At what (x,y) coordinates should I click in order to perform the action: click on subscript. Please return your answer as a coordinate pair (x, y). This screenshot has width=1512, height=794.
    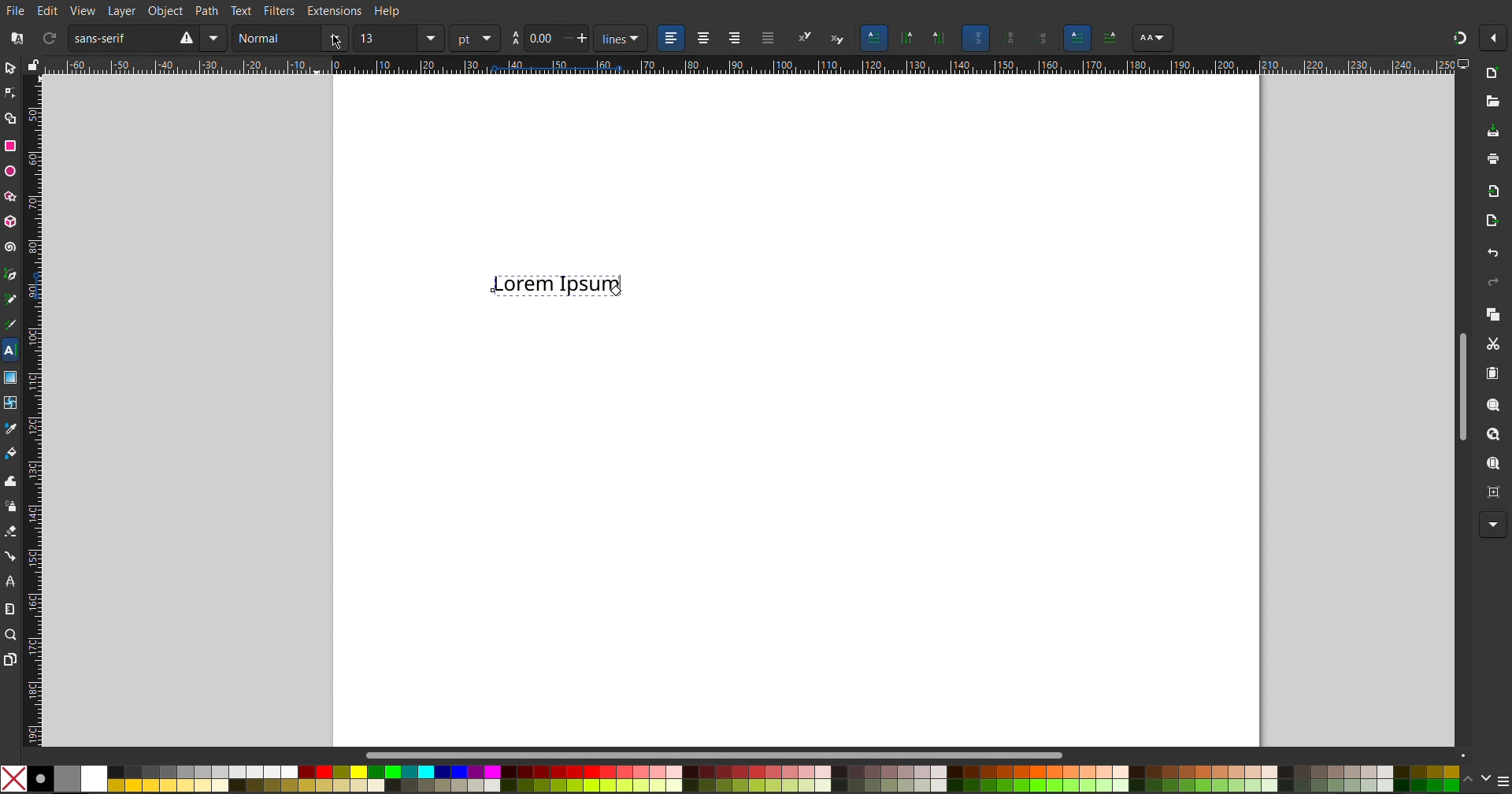
    Looking at the image, I should click on (839, 39).